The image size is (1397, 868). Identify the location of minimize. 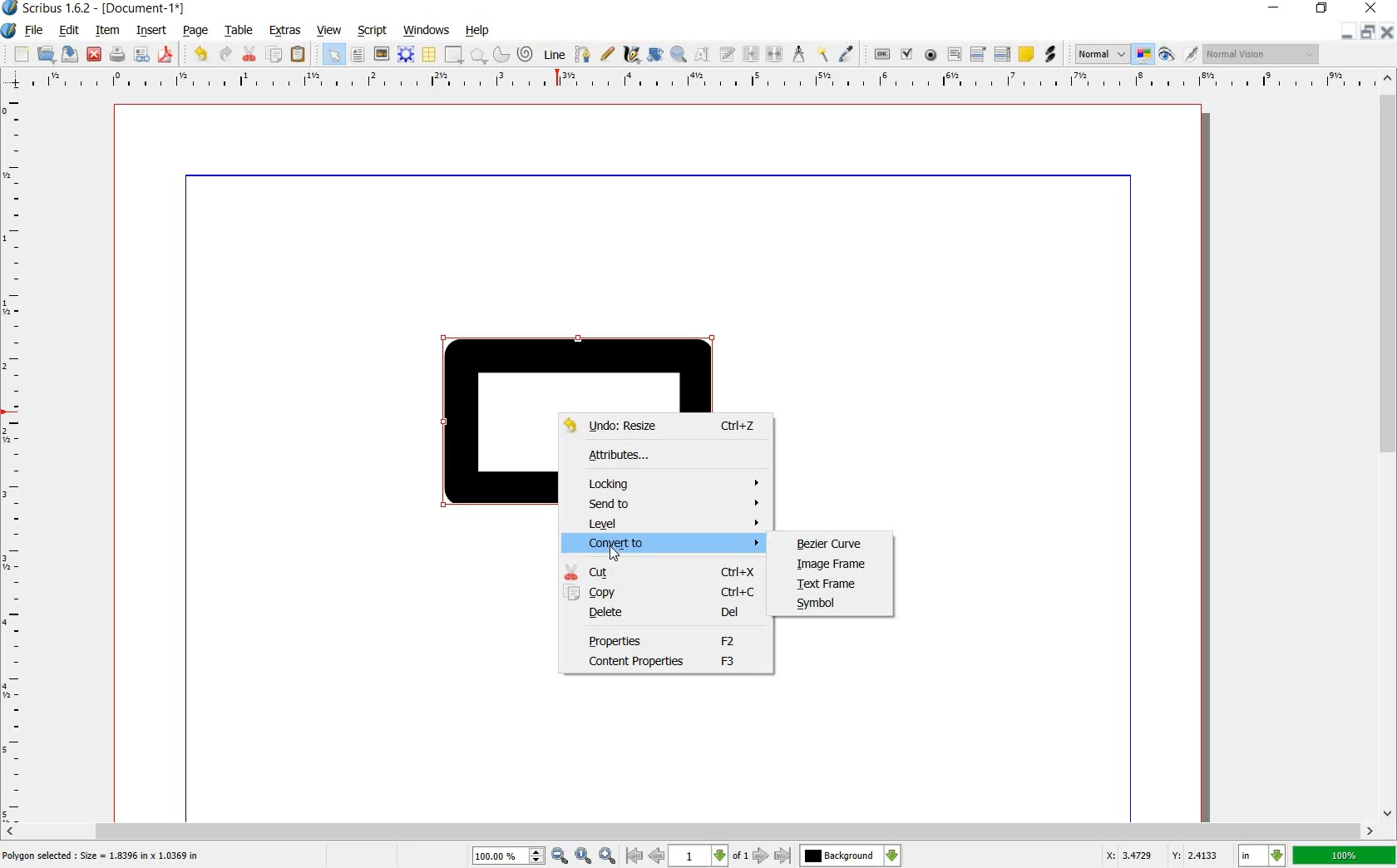
(1345, 32).